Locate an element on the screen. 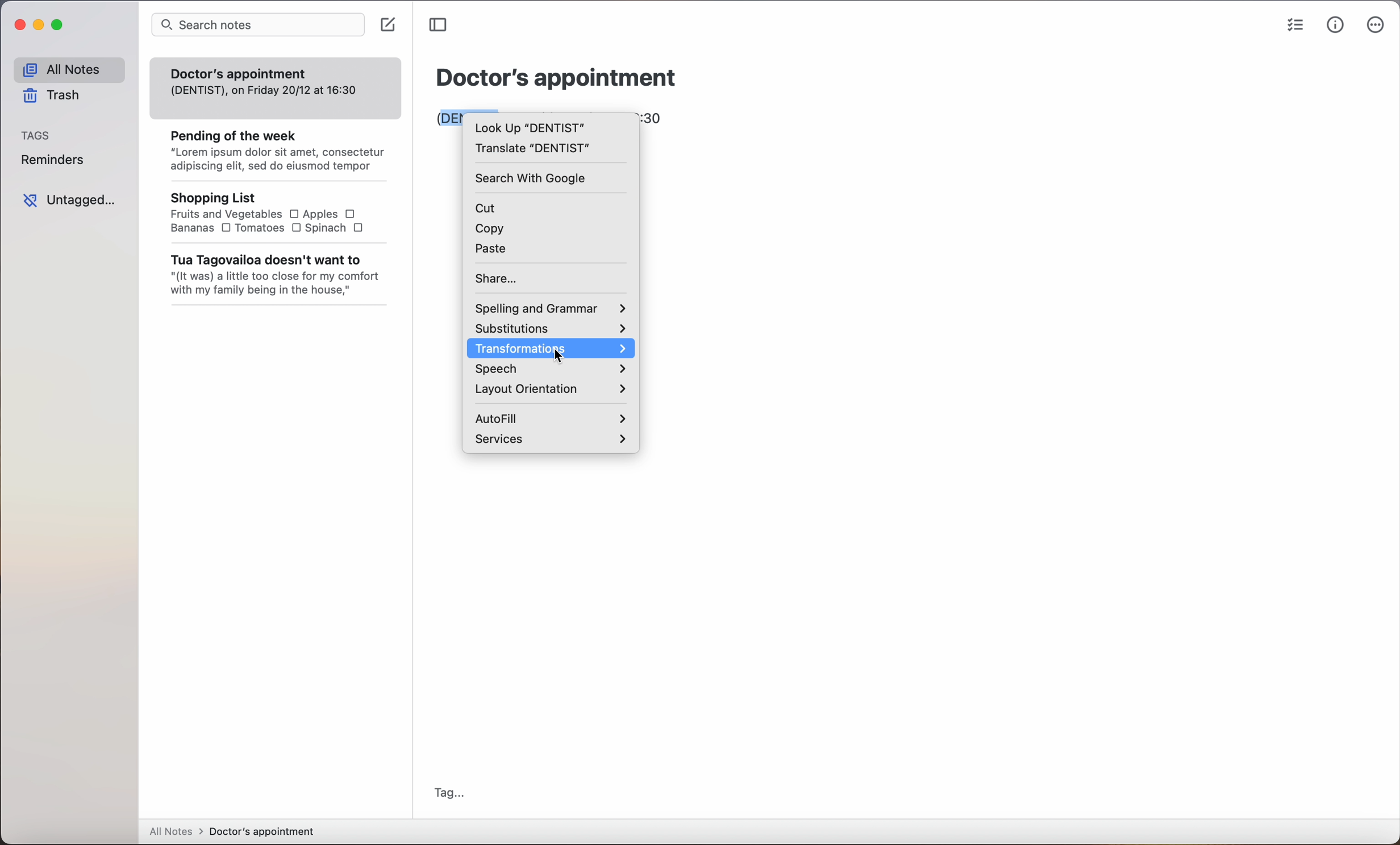 This screenshot has width=1400, height=845. copy is located at coordinates (488, 231).